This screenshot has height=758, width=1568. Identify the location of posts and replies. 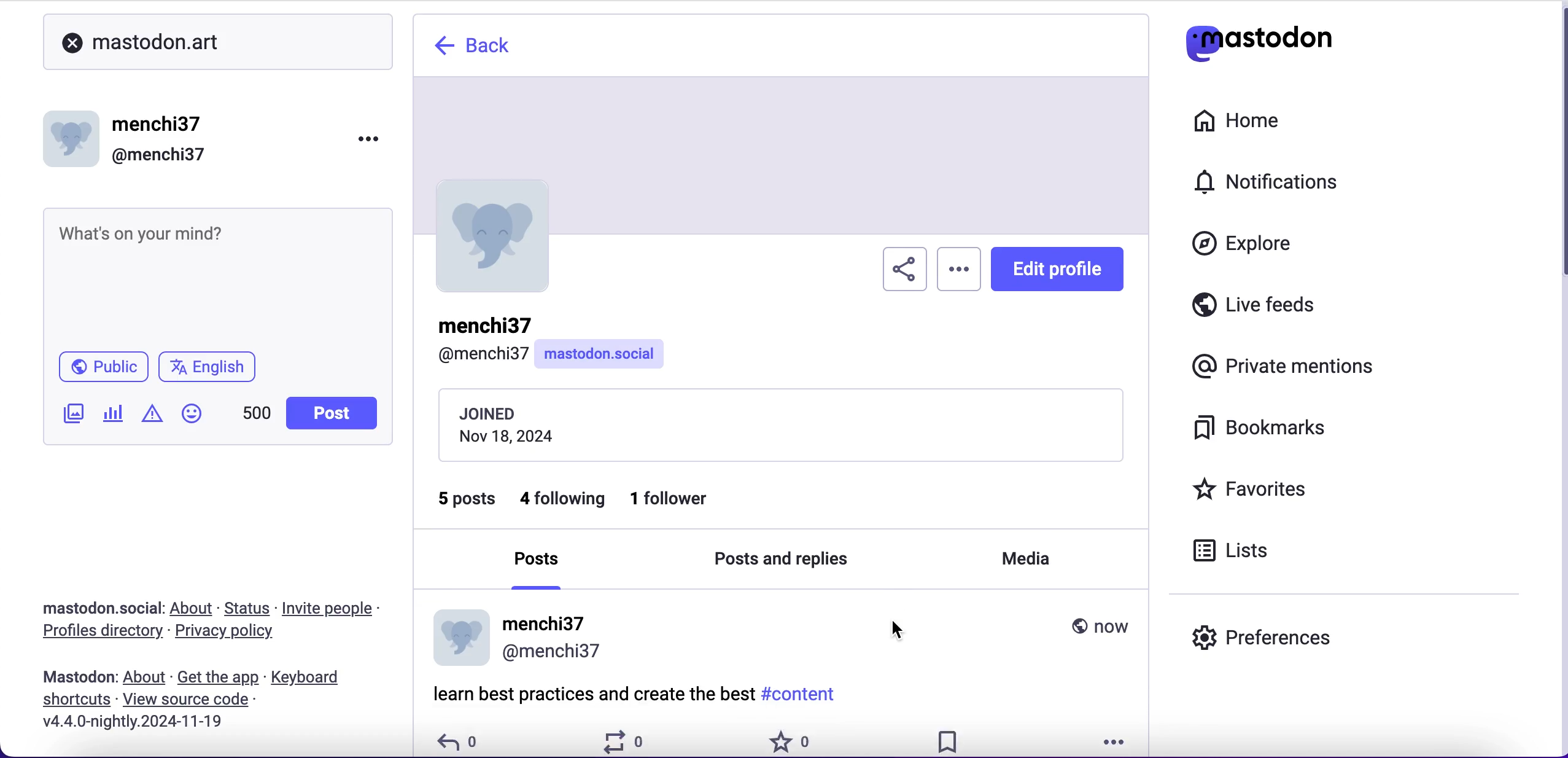
(789, 563).